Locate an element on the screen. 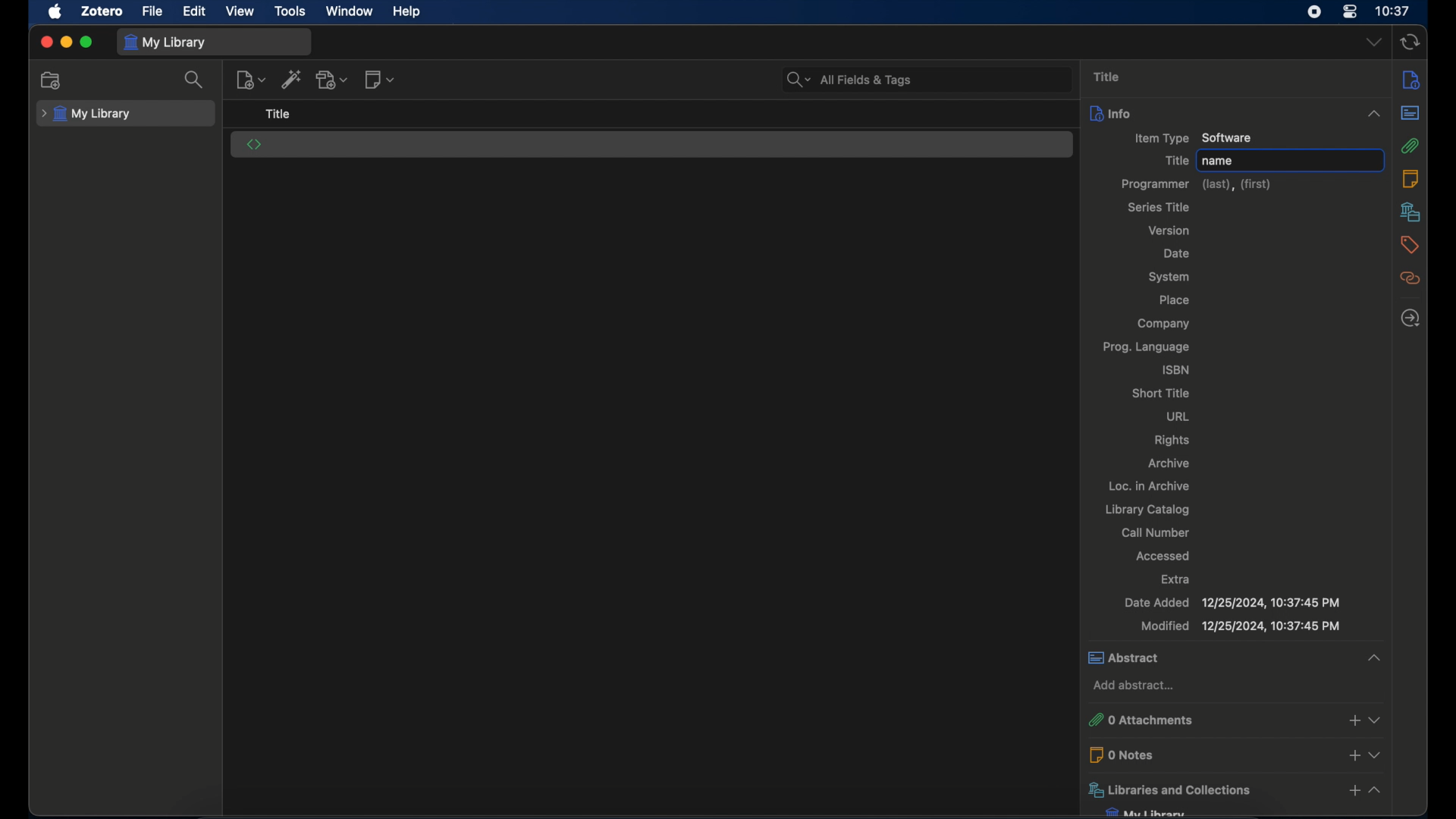  libraries is located at coordinates (1410, 212).